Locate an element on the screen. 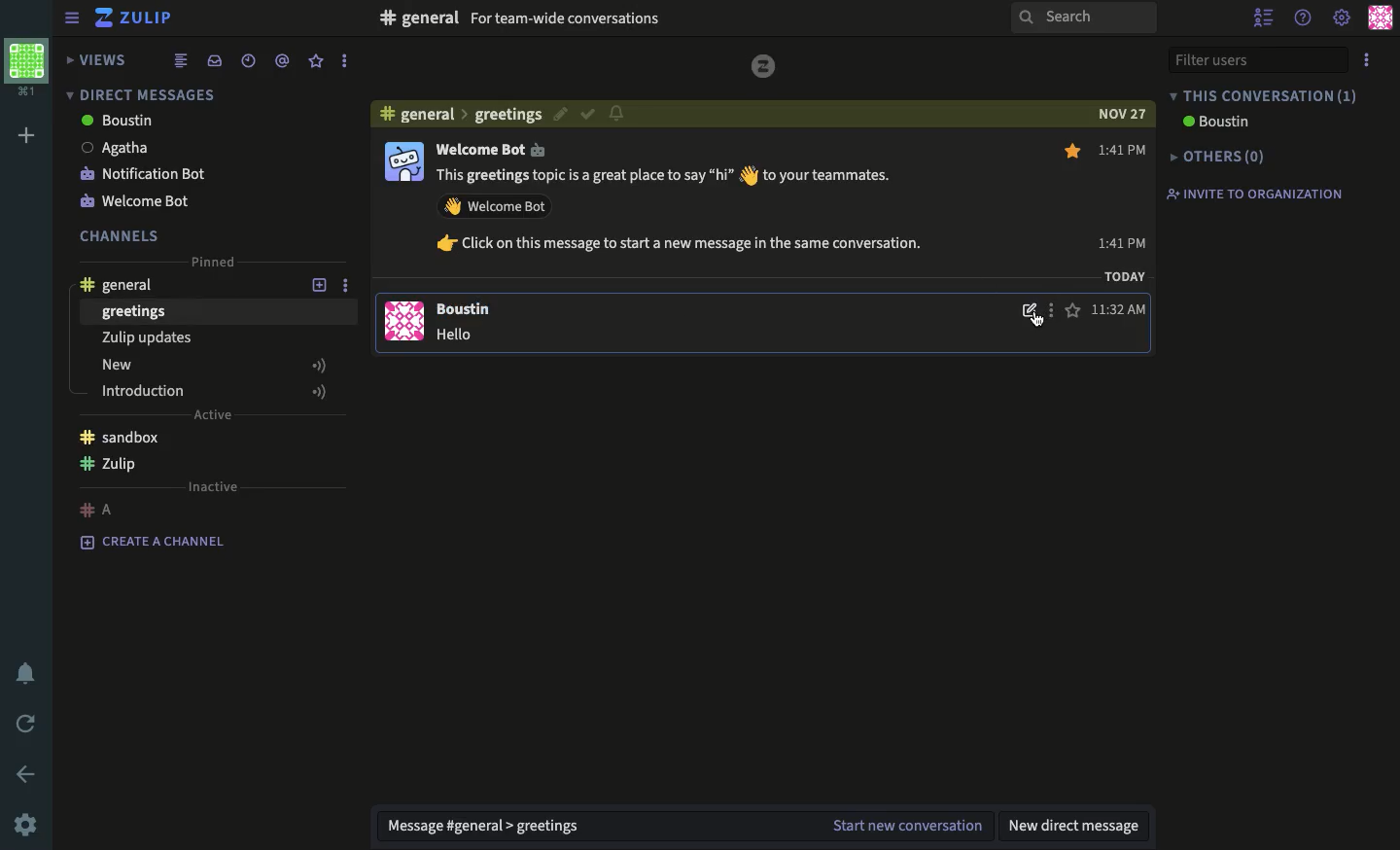  back is located at coordinates (29, 773).